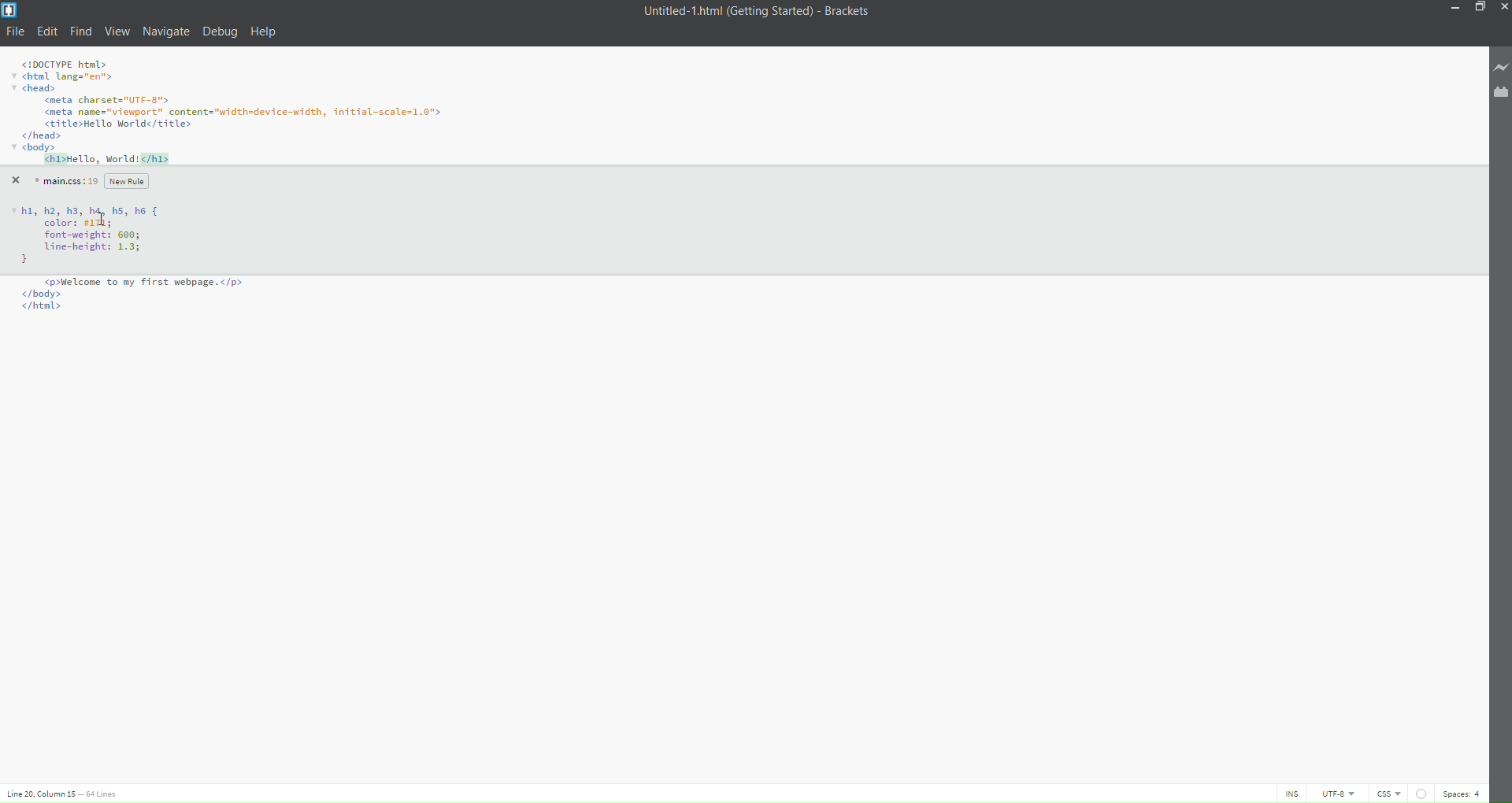  What do you see at coordinates (64, 180) in the screenshot?
I see `main.css` at bounding box center [64, 180].